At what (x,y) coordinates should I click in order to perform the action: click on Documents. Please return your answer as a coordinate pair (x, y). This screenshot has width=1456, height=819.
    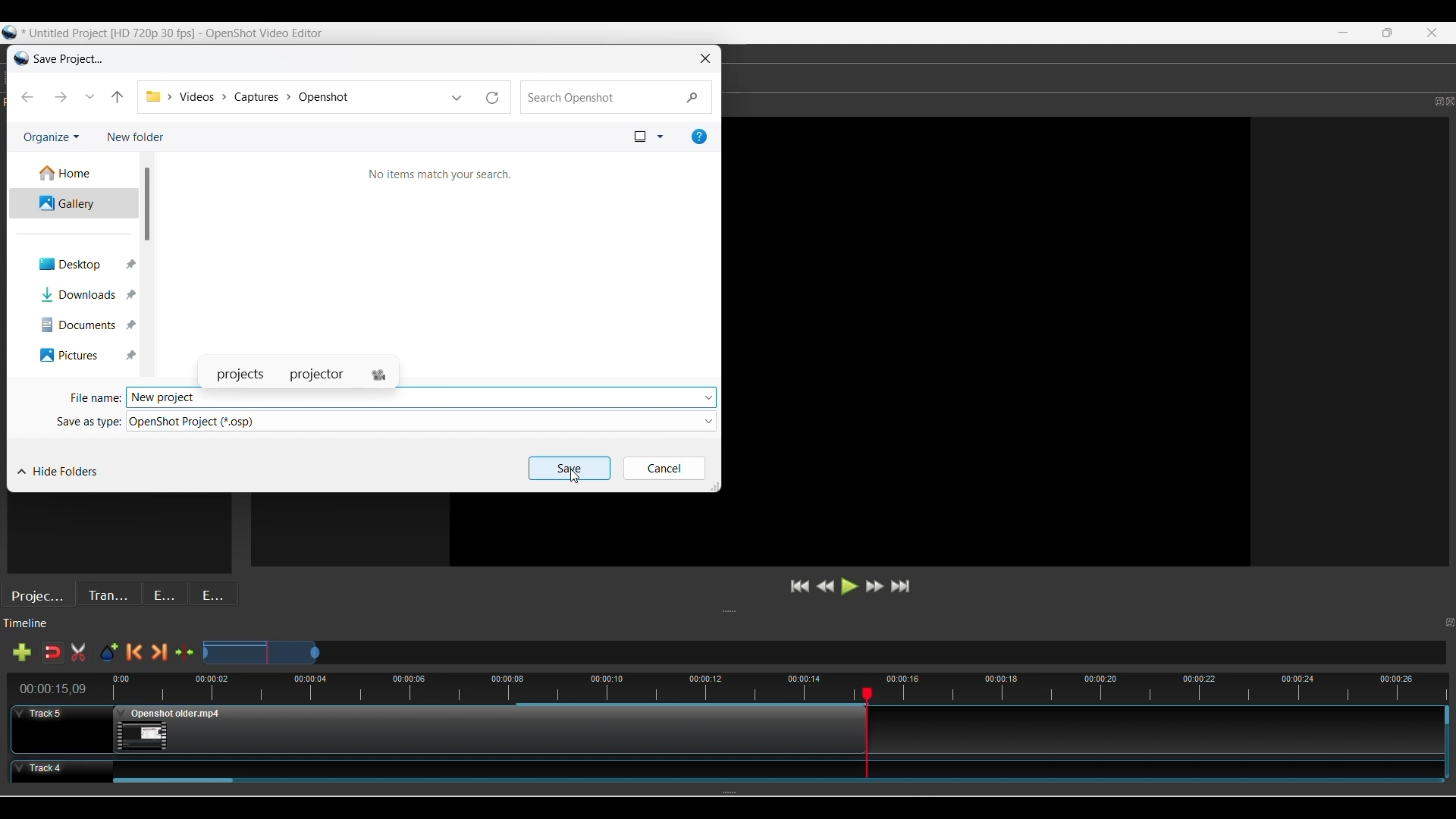
    Looking at the image, I should click on (78, 325).